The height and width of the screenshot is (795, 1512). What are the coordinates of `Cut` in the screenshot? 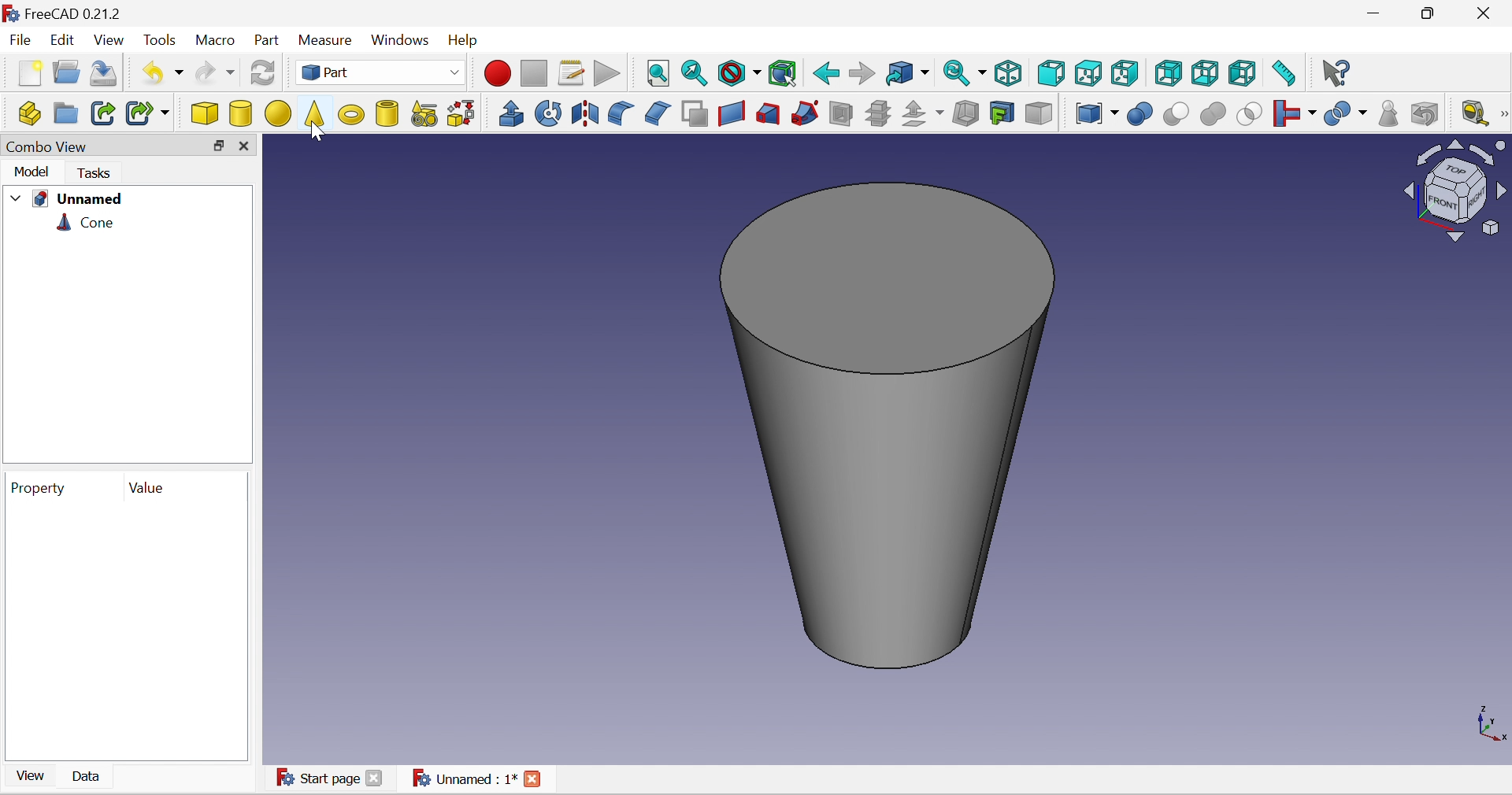 It's located at (1176, 115).